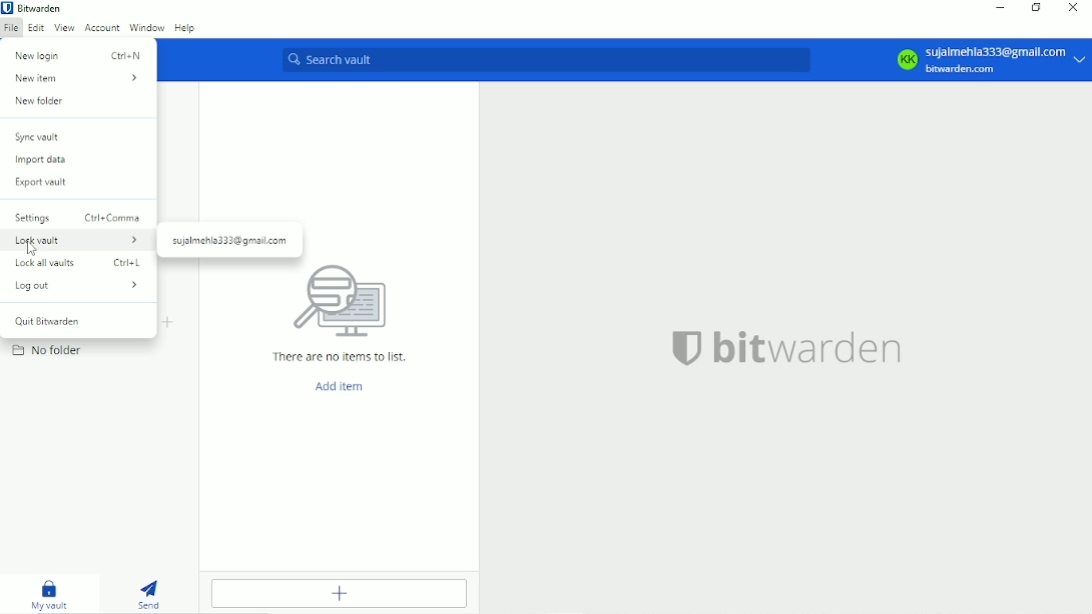  What do you see at coordinates (79, 286) in the screenshot?
I see `Log out` at bounding box center [79, 286].